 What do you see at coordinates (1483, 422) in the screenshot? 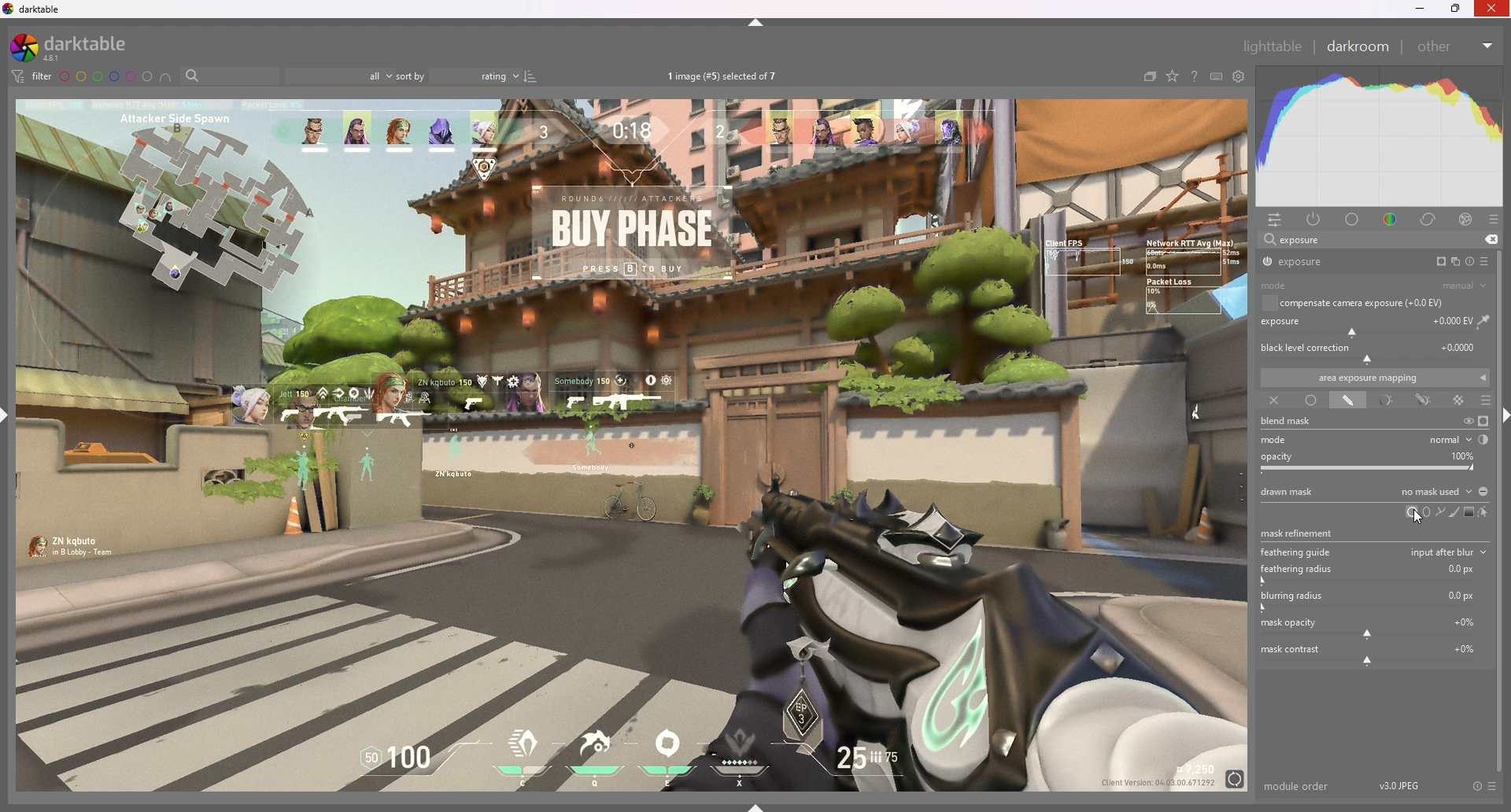
I see `display mask` at bounding box center [1483, 422].